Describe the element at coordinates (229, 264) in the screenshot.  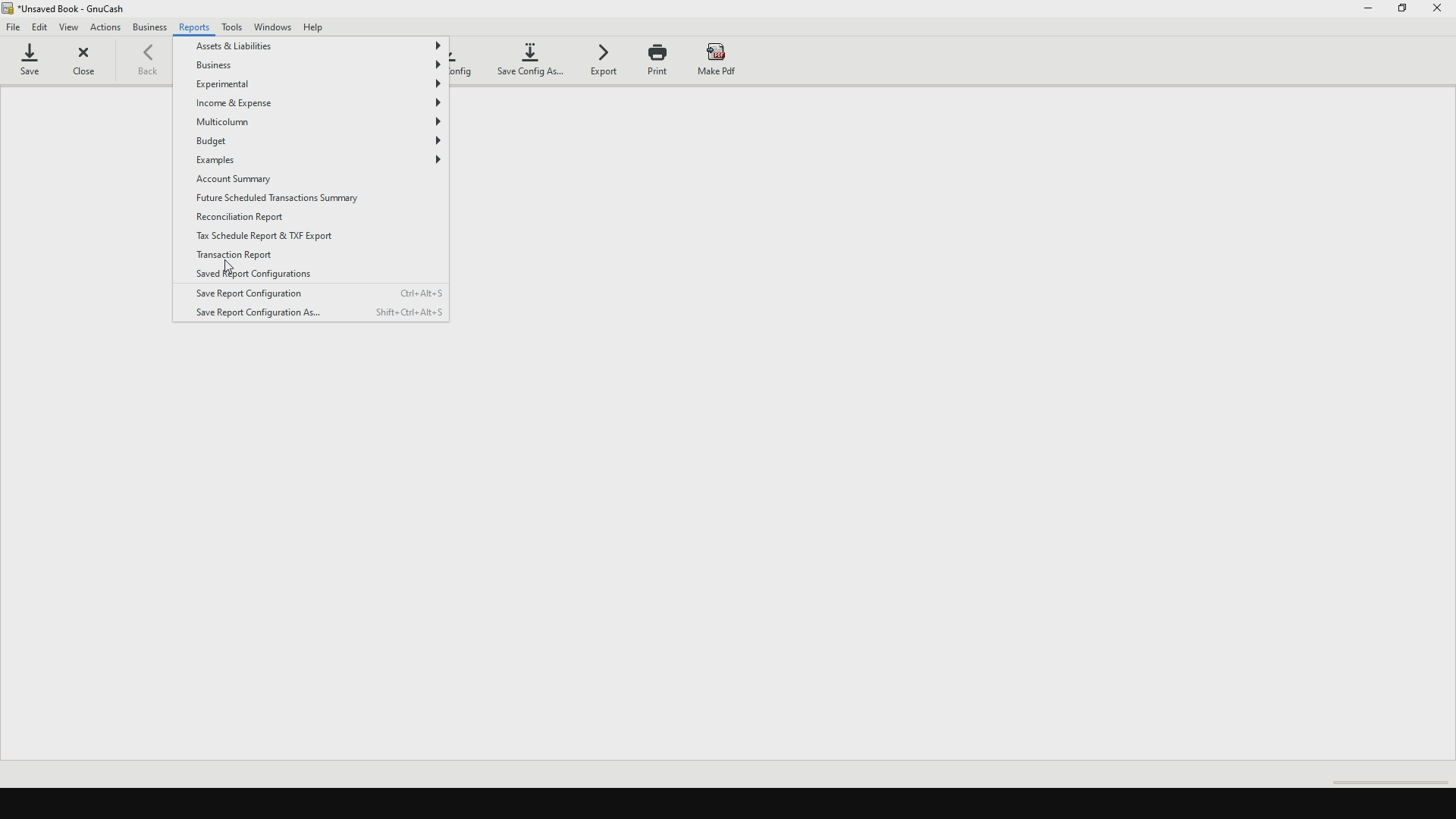
I see `cursor` at that location.